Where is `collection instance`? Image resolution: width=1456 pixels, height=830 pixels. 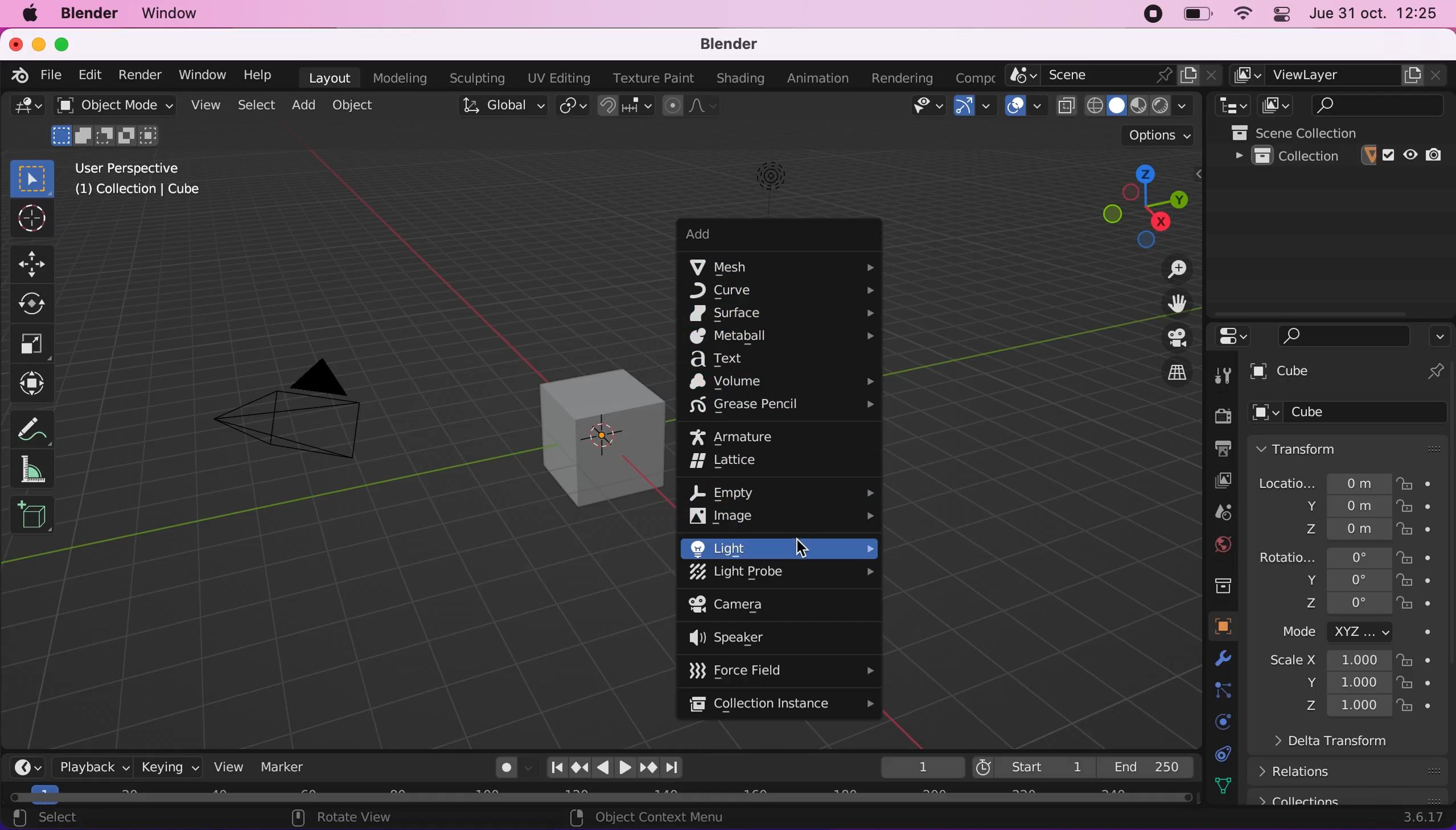
collection instance is located at coordinates (782, 705).